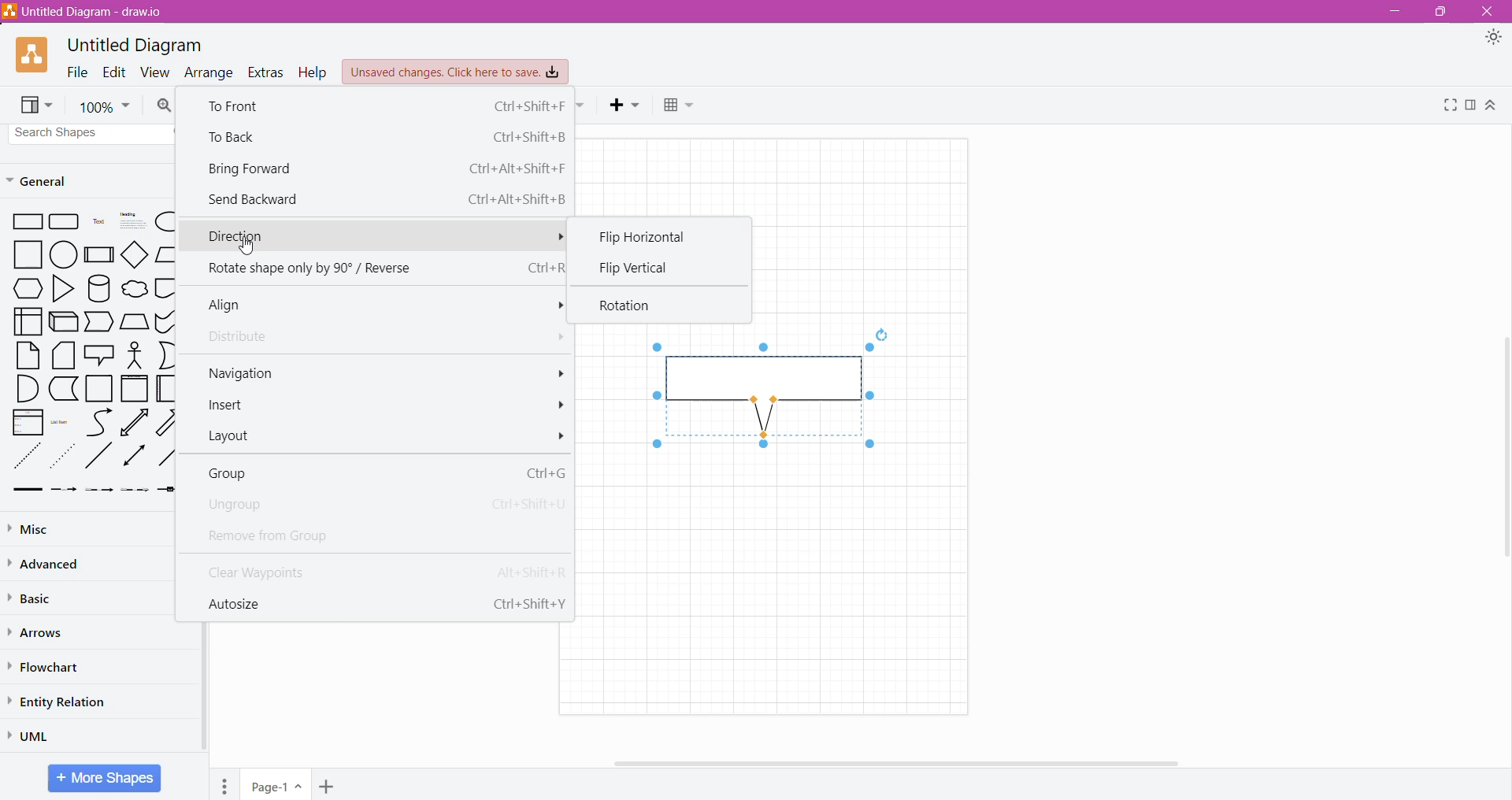 This screenshot has width=1512, height=800. I want to click on Format, so click(1470, 106).